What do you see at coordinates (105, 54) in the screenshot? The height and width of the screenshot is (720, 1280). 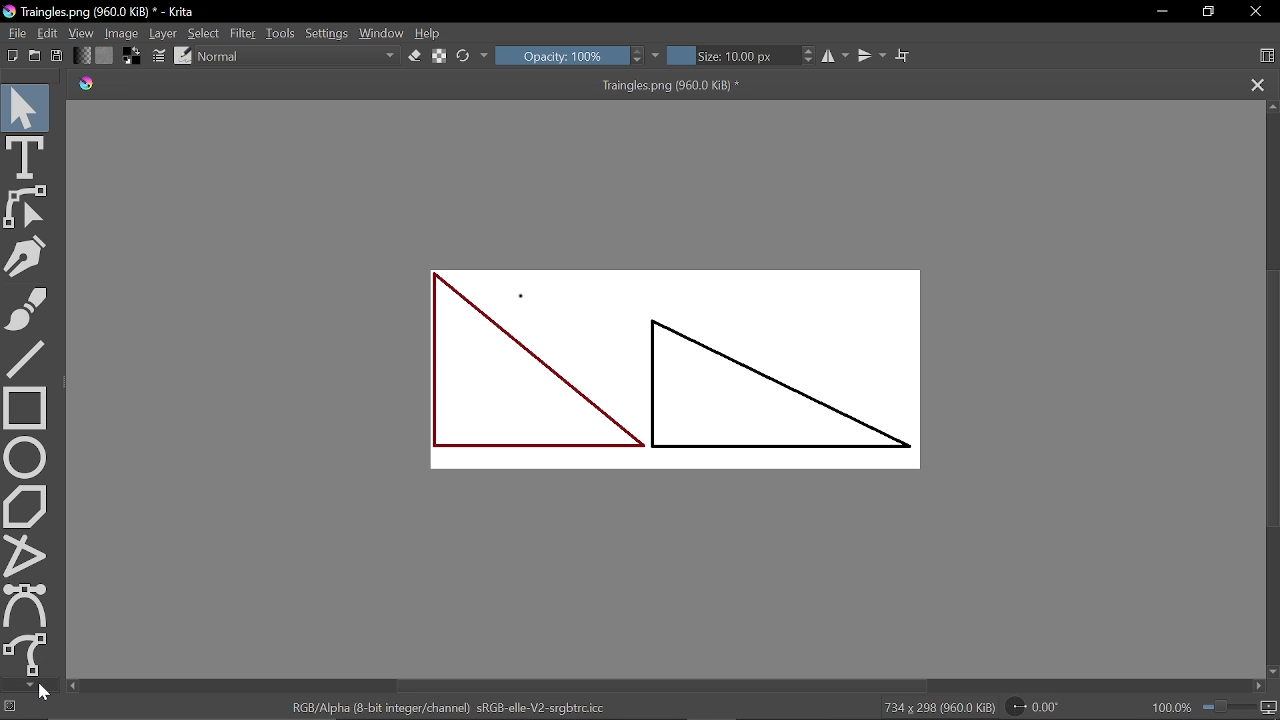 I see `Fill pattern` at bounding box center [105, 54].